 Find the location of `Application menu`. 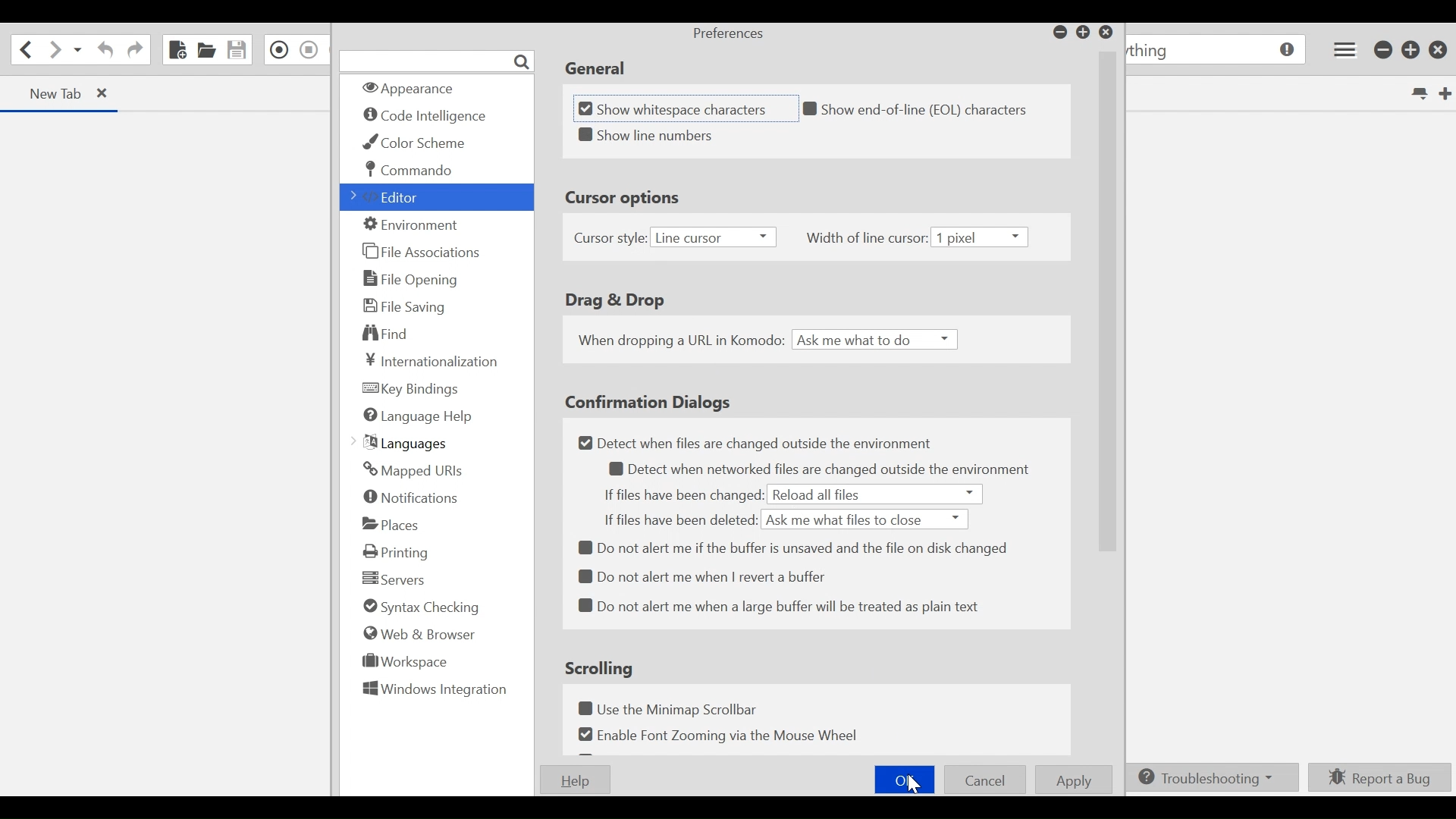

Application menu is located at coordinates (1341, 50).